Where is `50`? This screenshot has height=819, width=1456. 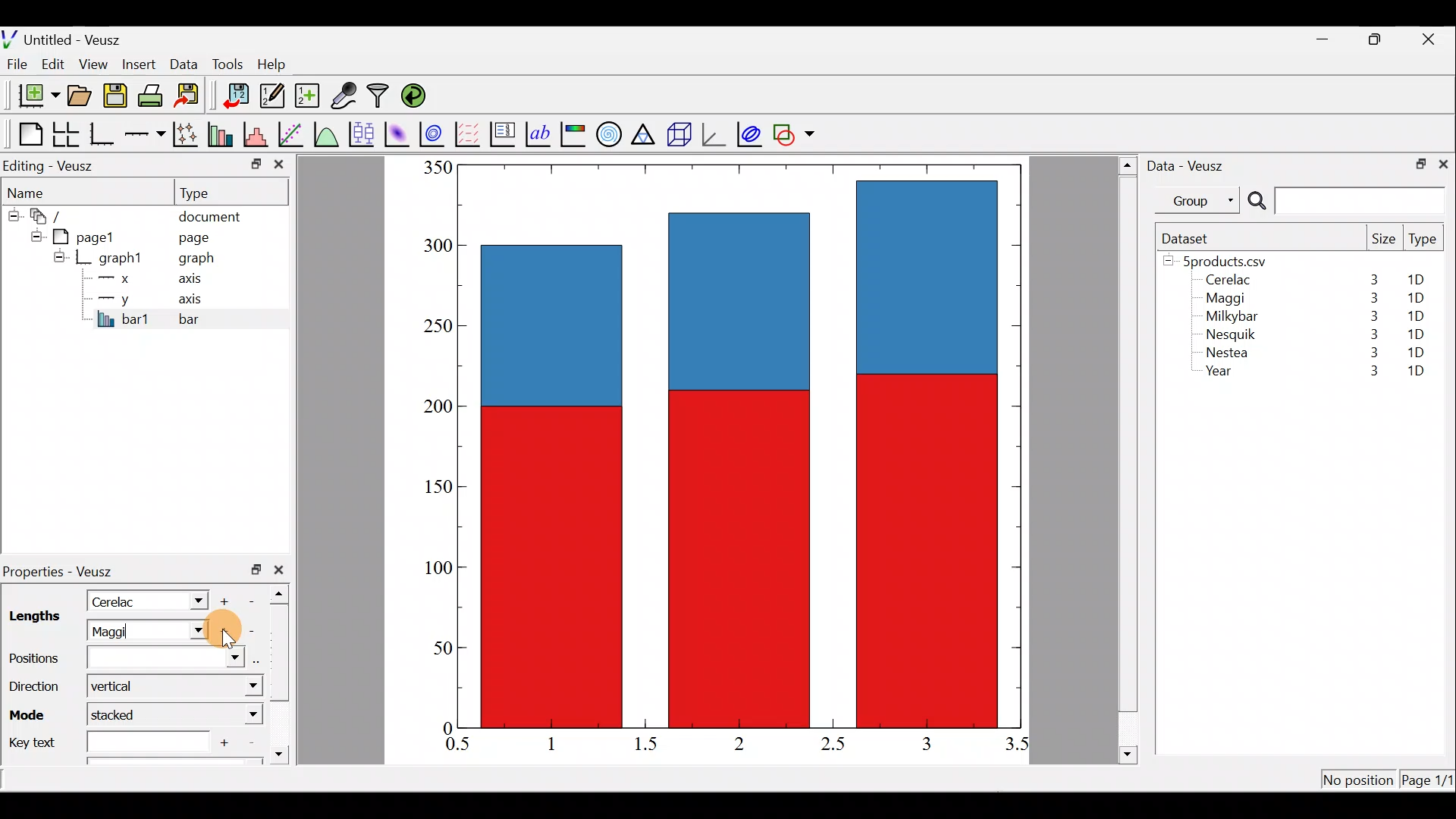
50 is located at coordinates (431, 651).